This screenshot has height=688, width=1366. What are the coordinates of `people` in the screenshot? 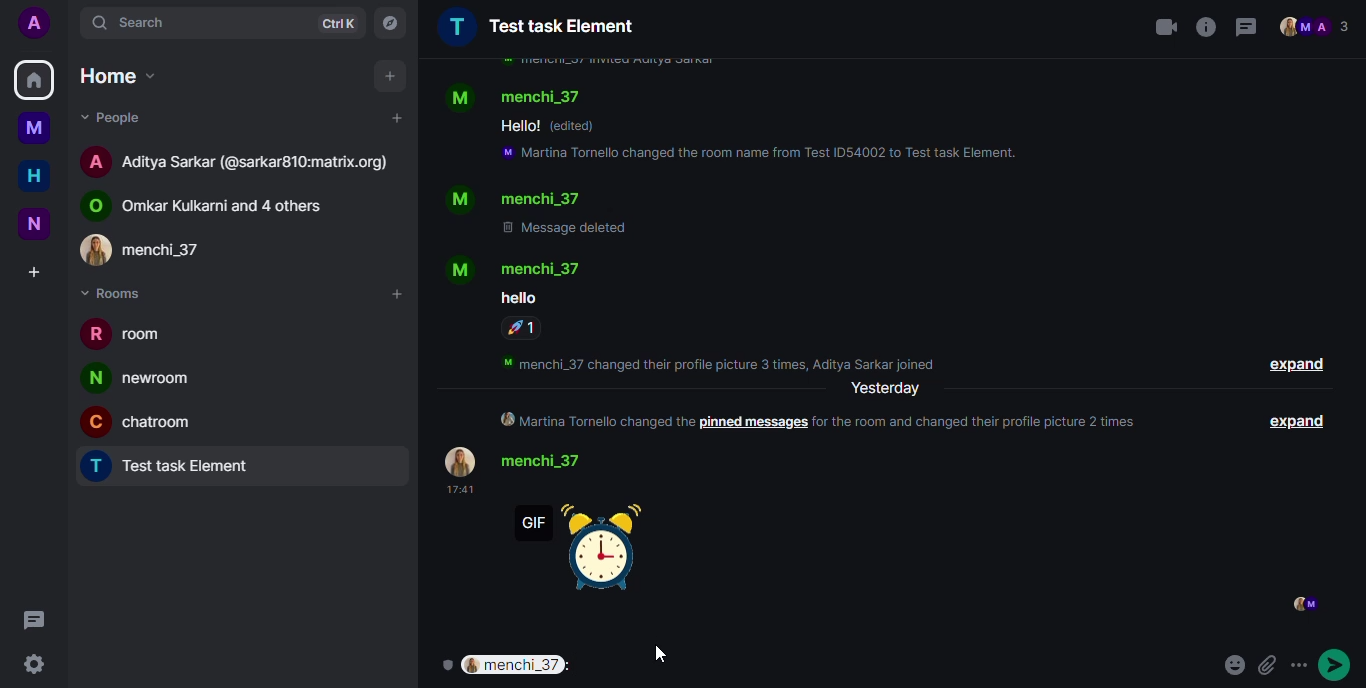 It's located at (117, 118).